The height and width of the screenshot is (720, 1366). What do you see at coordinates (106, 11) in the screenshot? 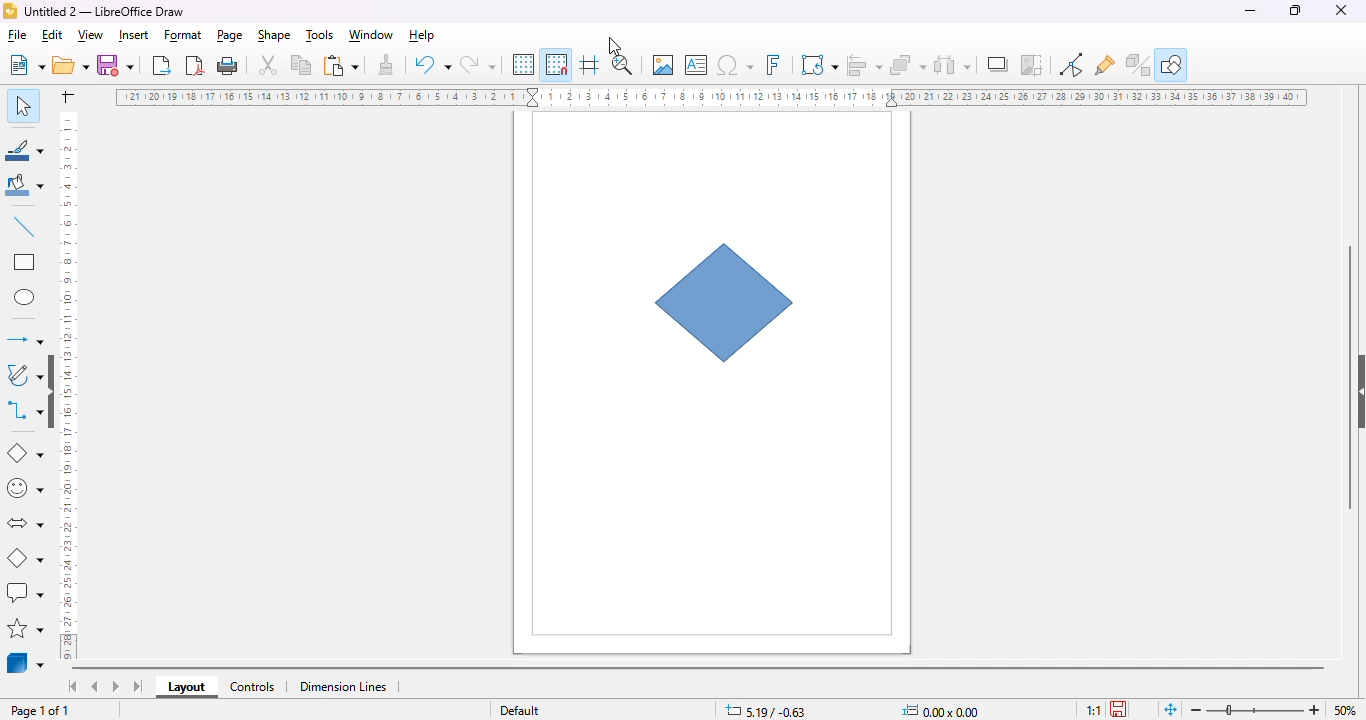
I see `title` at bounding box center [106, 11].